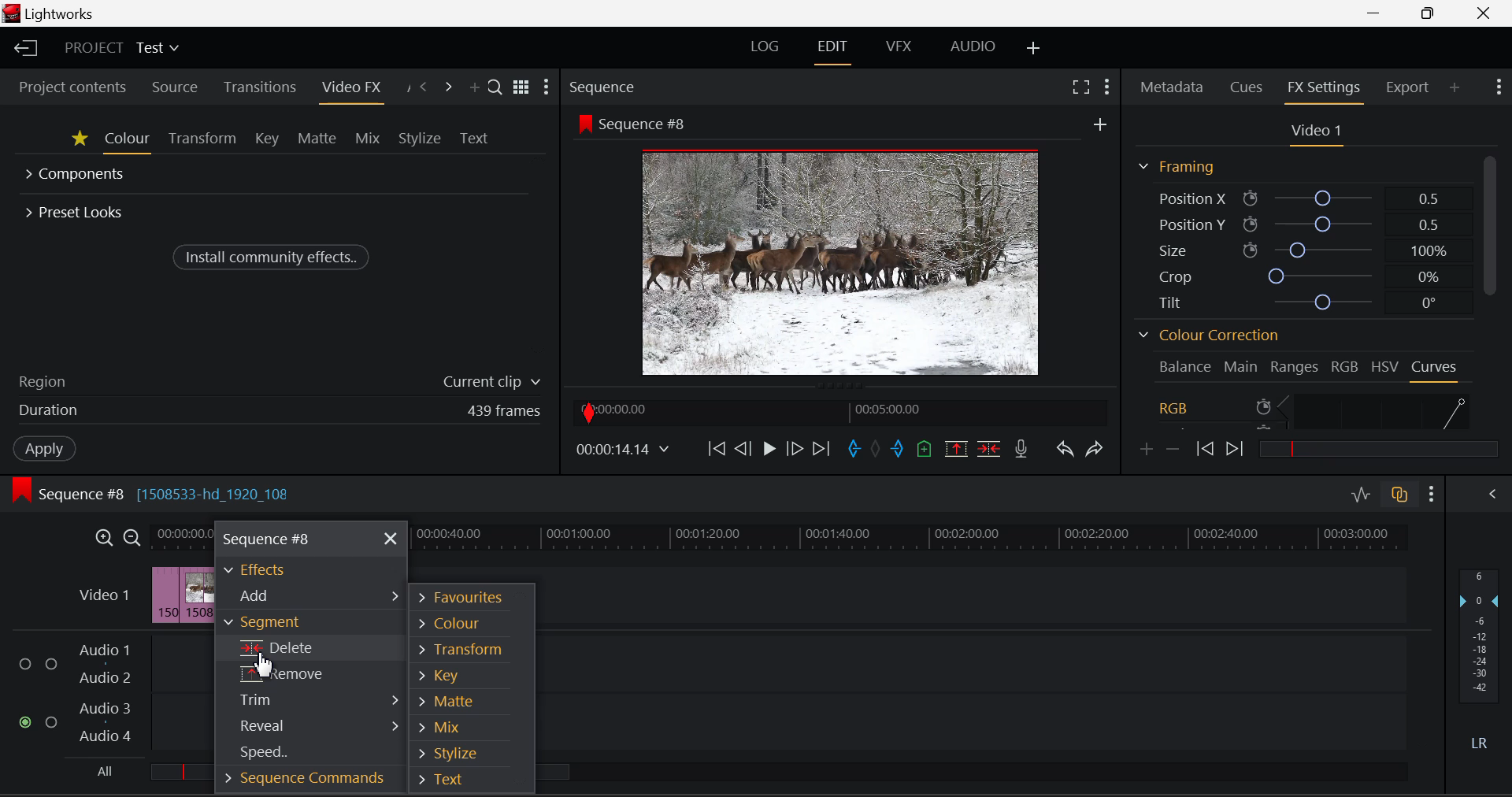 This screenshot has height=797, width=1512. Describe the element at coordinates (1144, 450) in the screenshot. I see `Add keyframe` at that location.